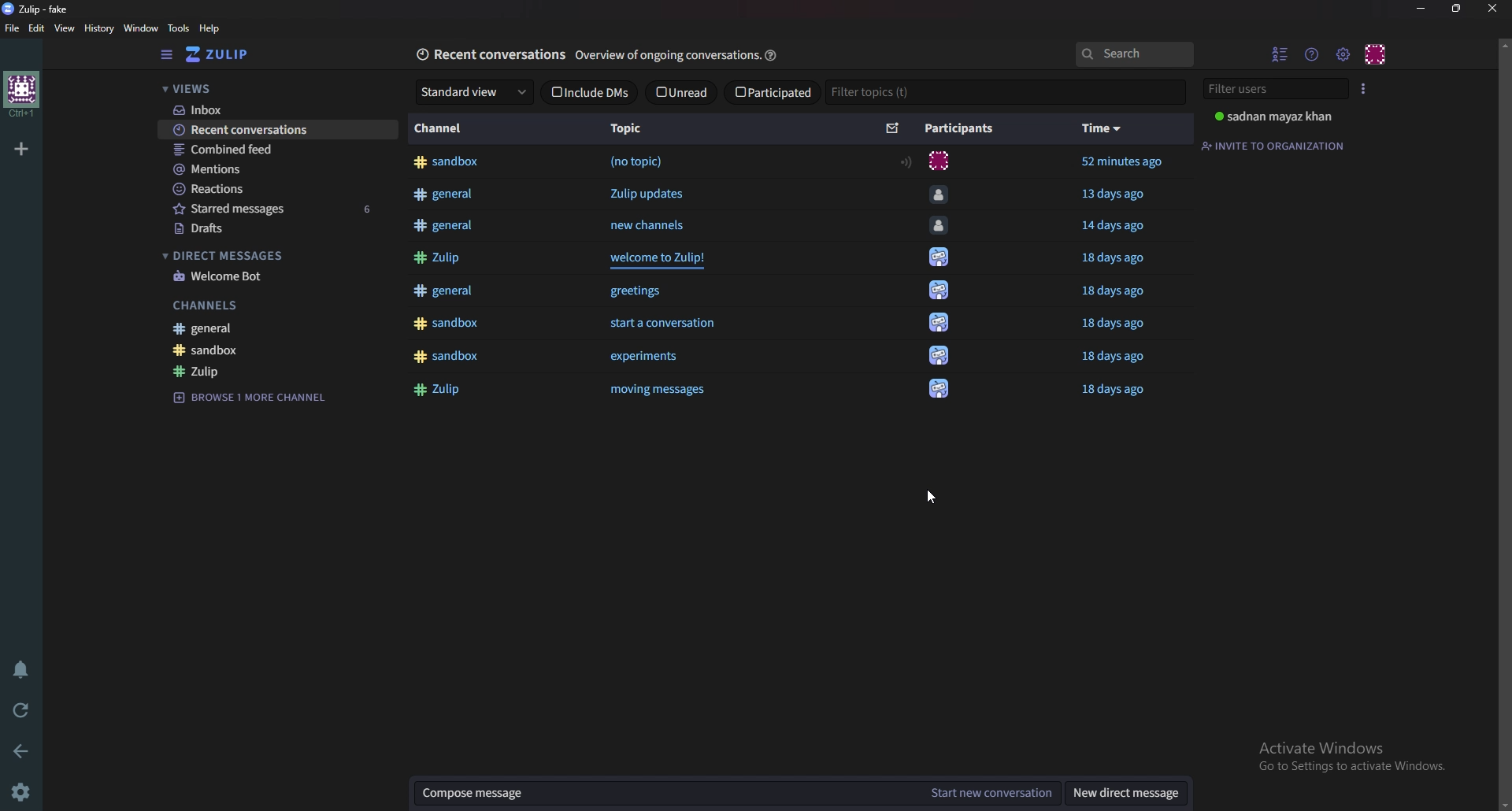 This screenshot has height=811, width=1512. I want to click on #general, so click(448, 228).